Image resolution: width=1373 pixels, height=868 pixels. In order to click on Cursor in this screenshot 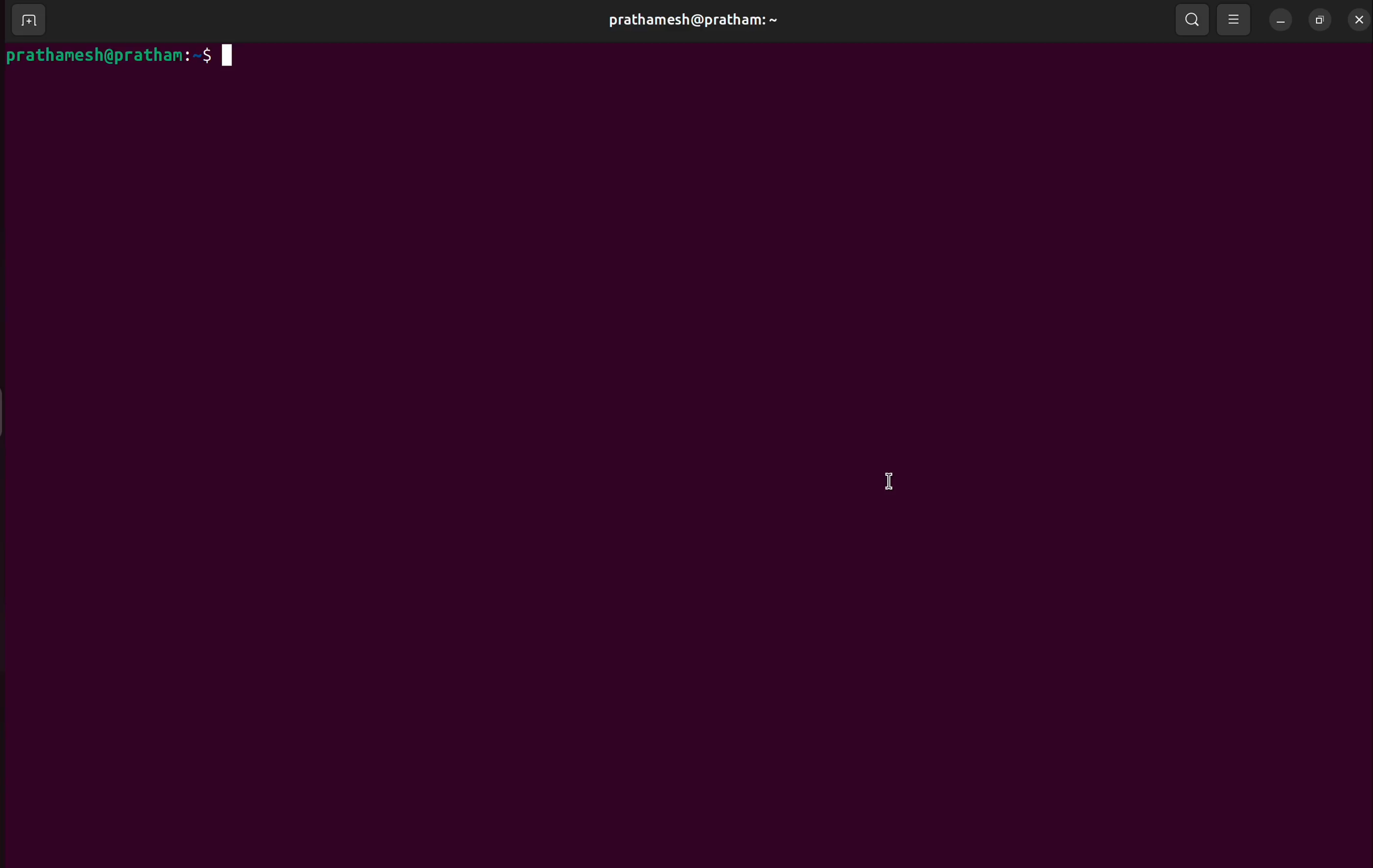, I will do `click(893, 482)`.